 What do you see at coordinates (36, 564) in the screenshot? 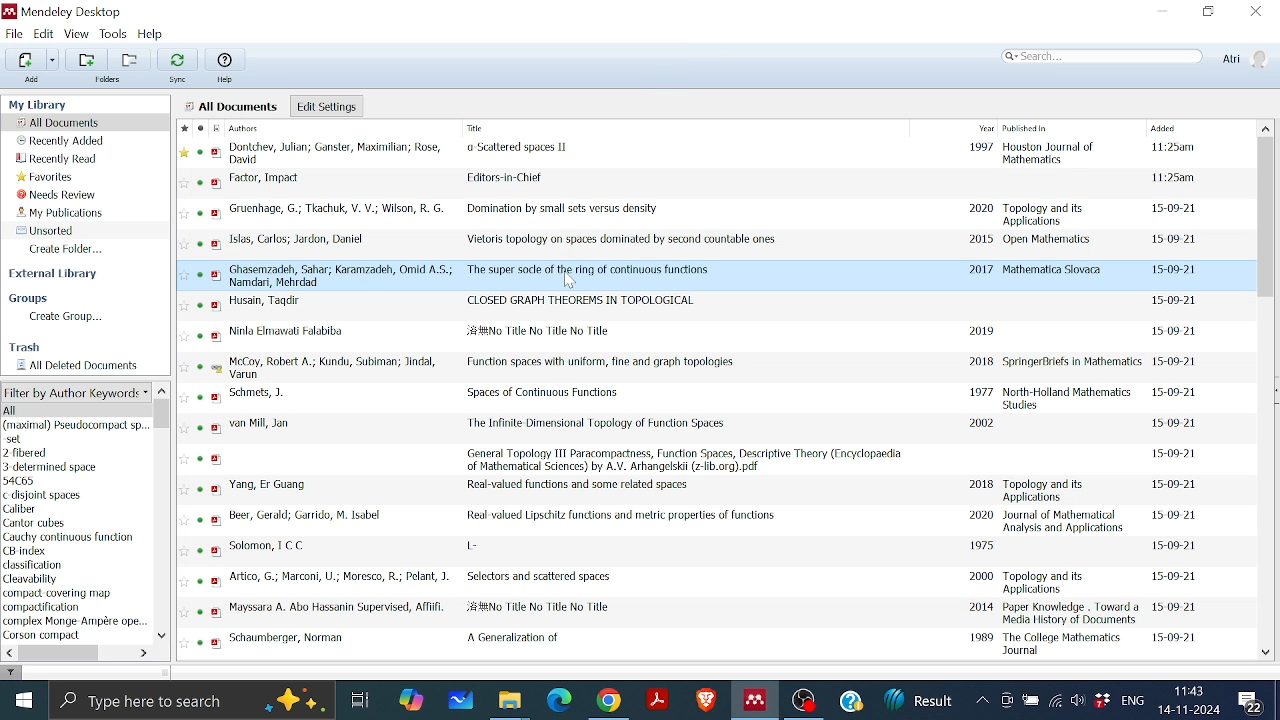
I see `classification` at bounding box center [36, 564].